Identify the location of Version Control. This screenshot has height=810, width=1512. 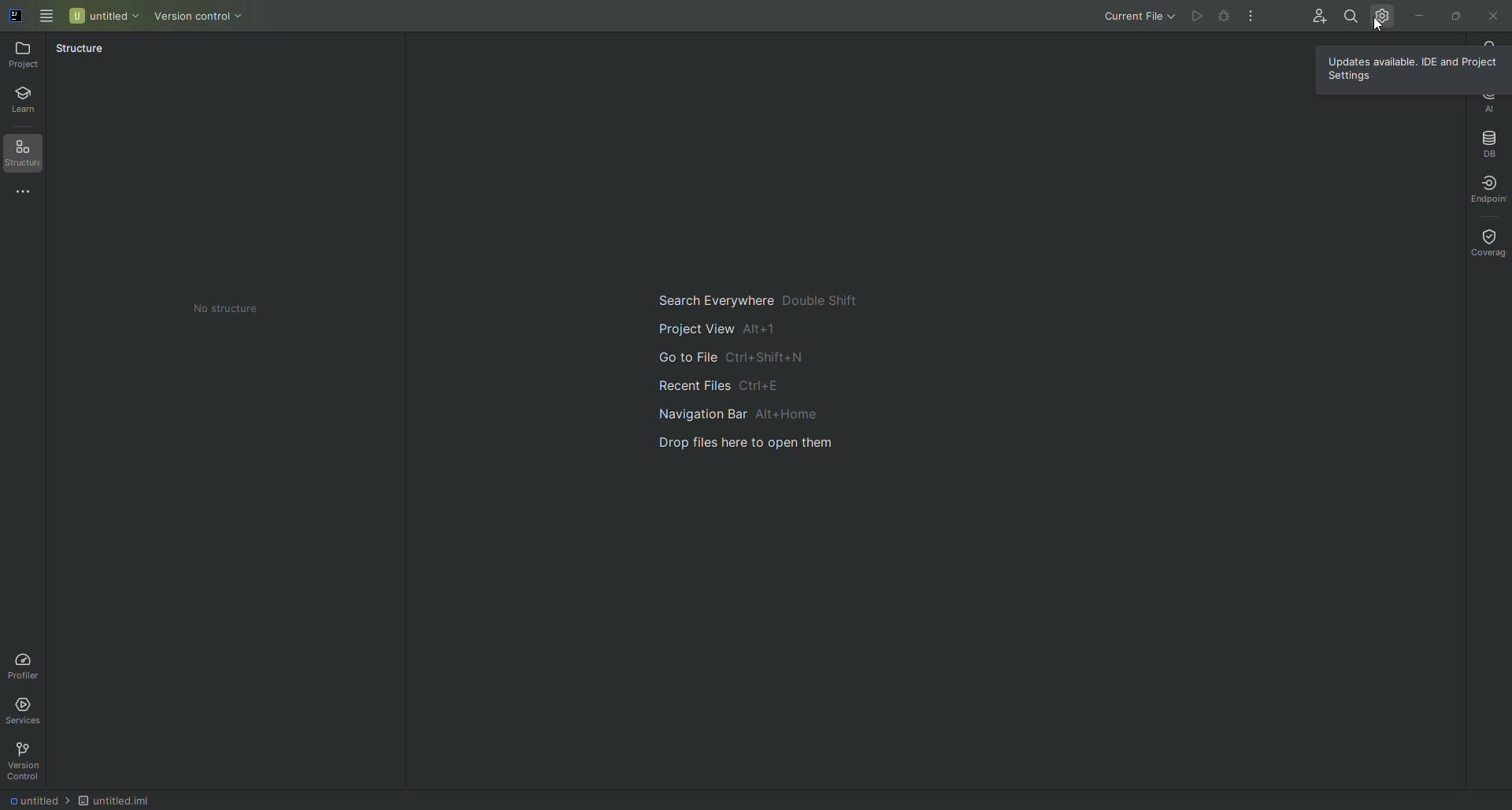
(28, 761).